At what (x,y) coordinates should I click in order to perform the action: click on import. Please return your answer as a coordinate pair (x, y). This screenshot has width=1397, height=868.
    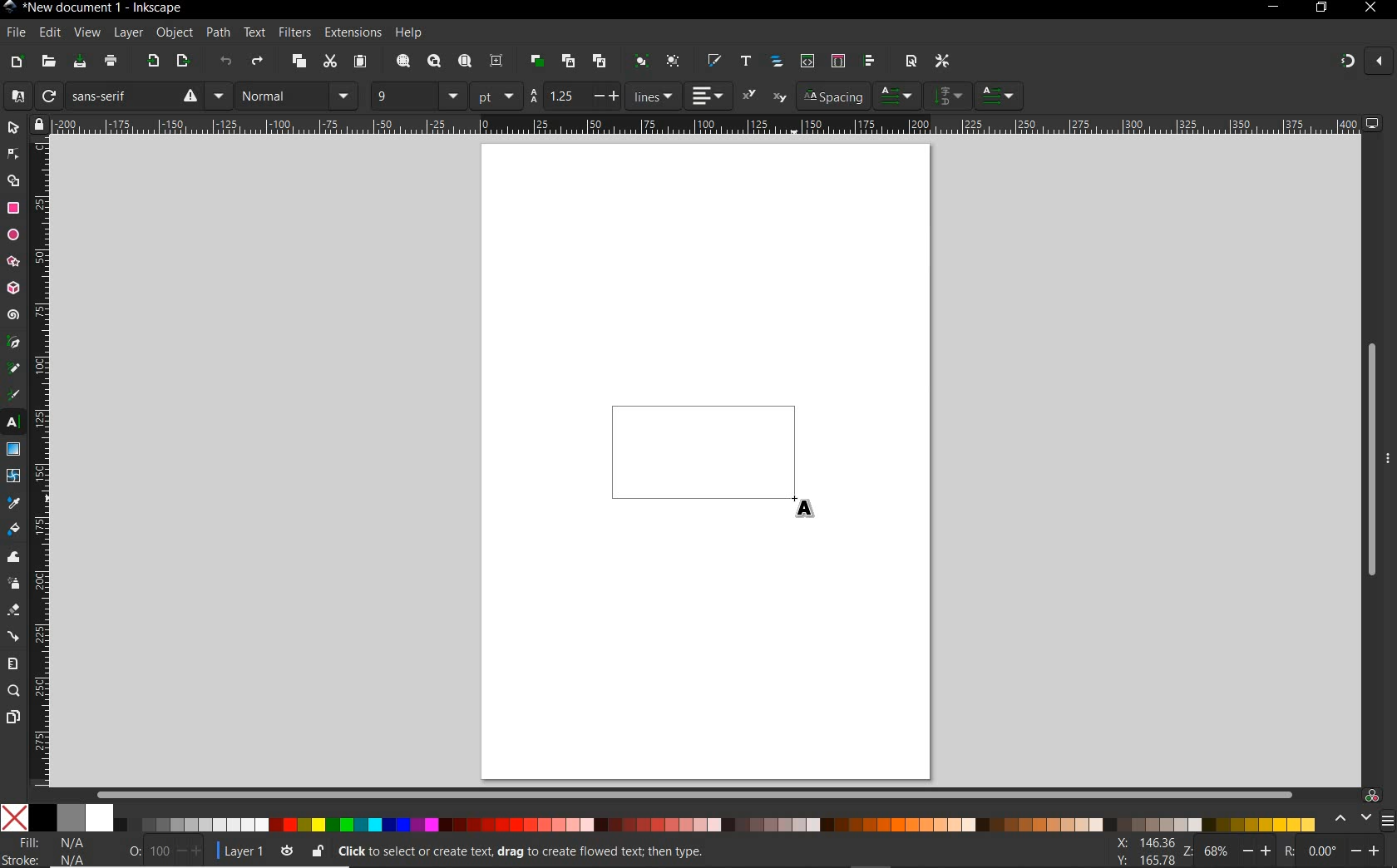
    Looking at the image, I should click on (152, 62).